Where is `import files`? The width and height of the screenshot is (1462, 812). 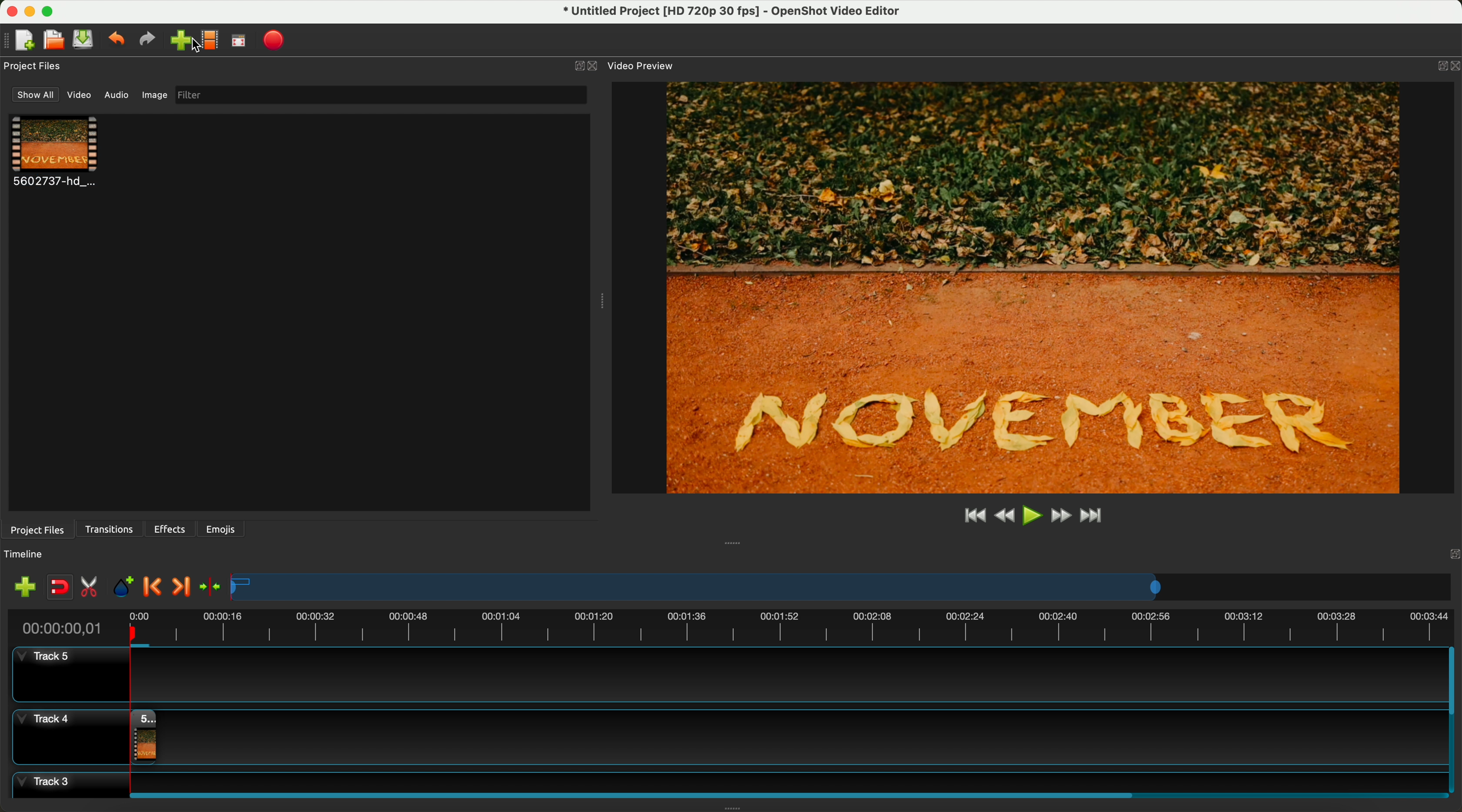
import files is located at coordinates (22, 586).